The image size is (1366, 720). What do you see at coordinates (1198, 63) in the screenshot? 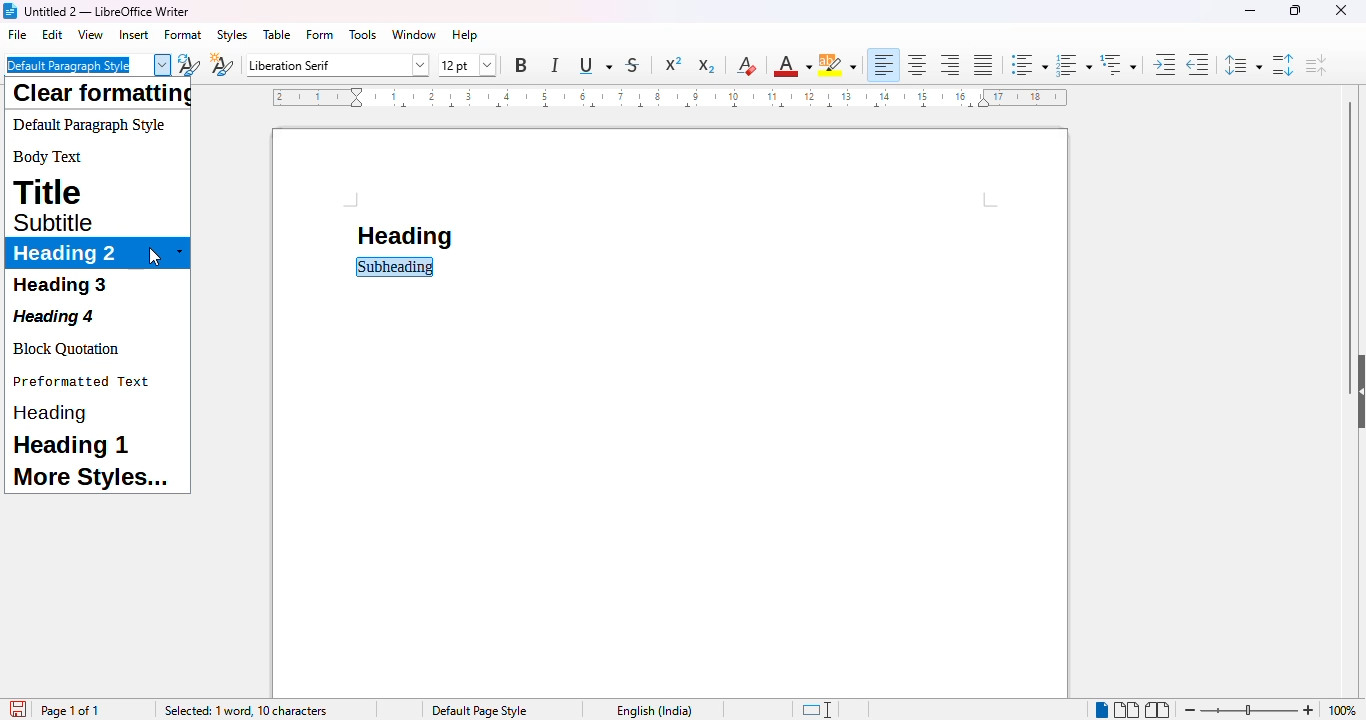
I see `decrease indent` at bounding box center [1198, 63].